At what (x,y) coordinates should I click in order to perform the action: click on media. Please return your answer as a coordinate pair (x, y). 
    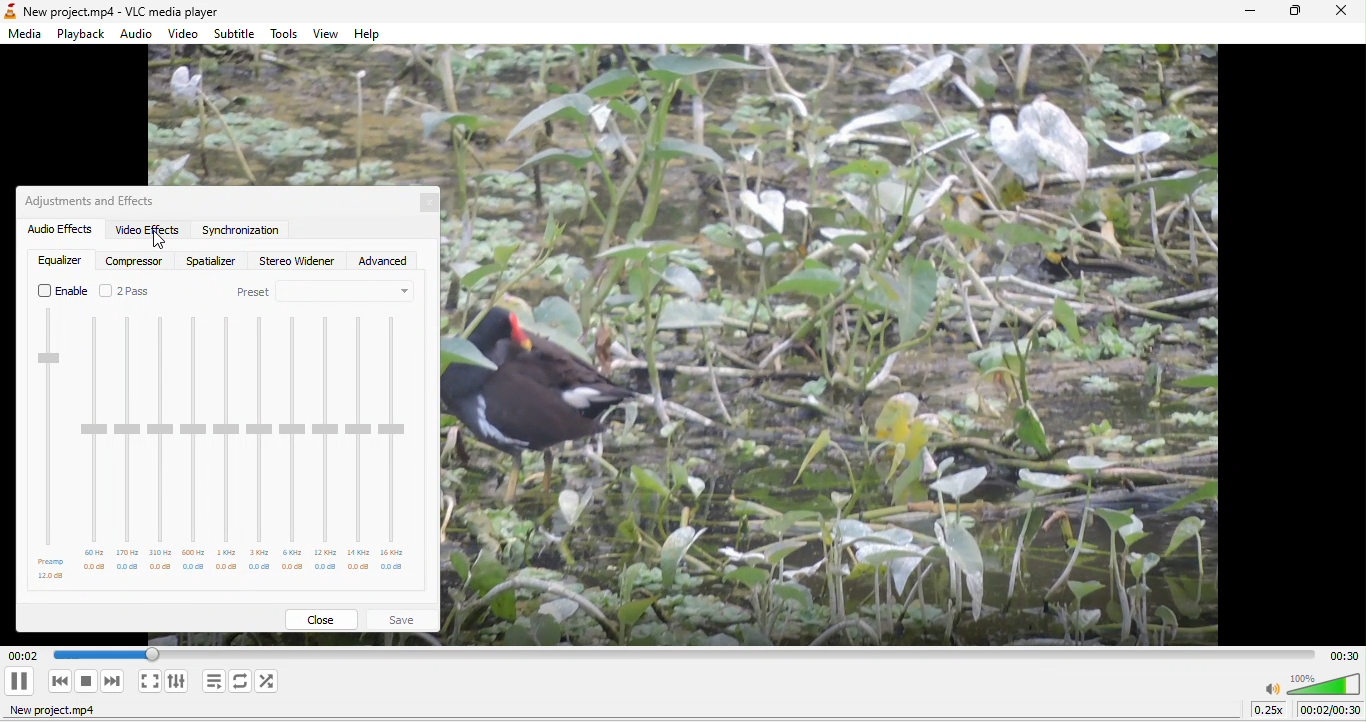
    Looking at the image, I should click on (28, 34).